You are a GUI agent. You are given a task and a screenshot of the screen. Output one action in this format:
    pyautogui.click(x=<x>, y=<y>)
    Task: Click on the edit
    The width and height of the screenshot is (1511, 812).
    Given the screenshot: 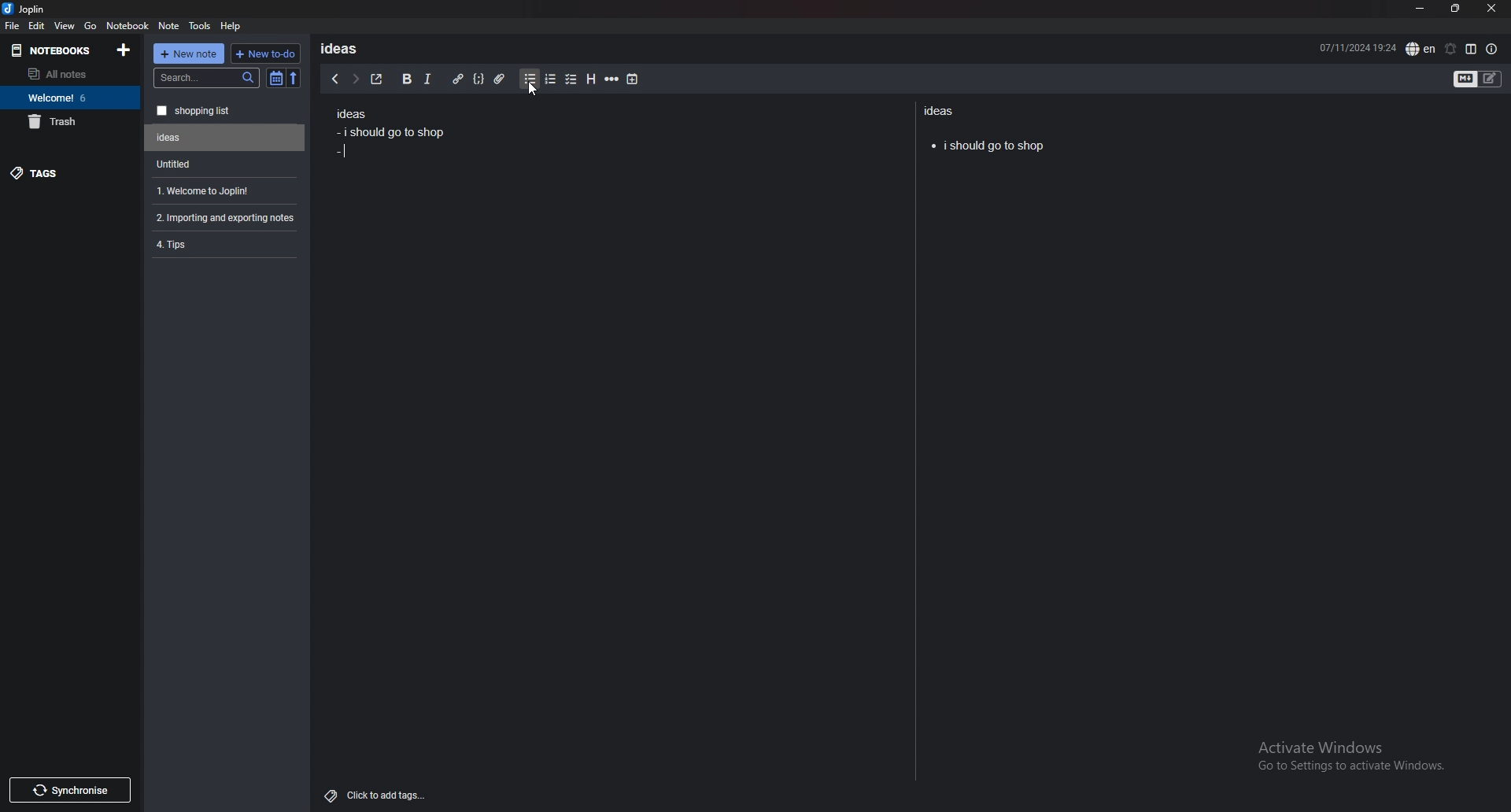 What is the action you would take?
    pyautogui.click(x=36, y=26)
    